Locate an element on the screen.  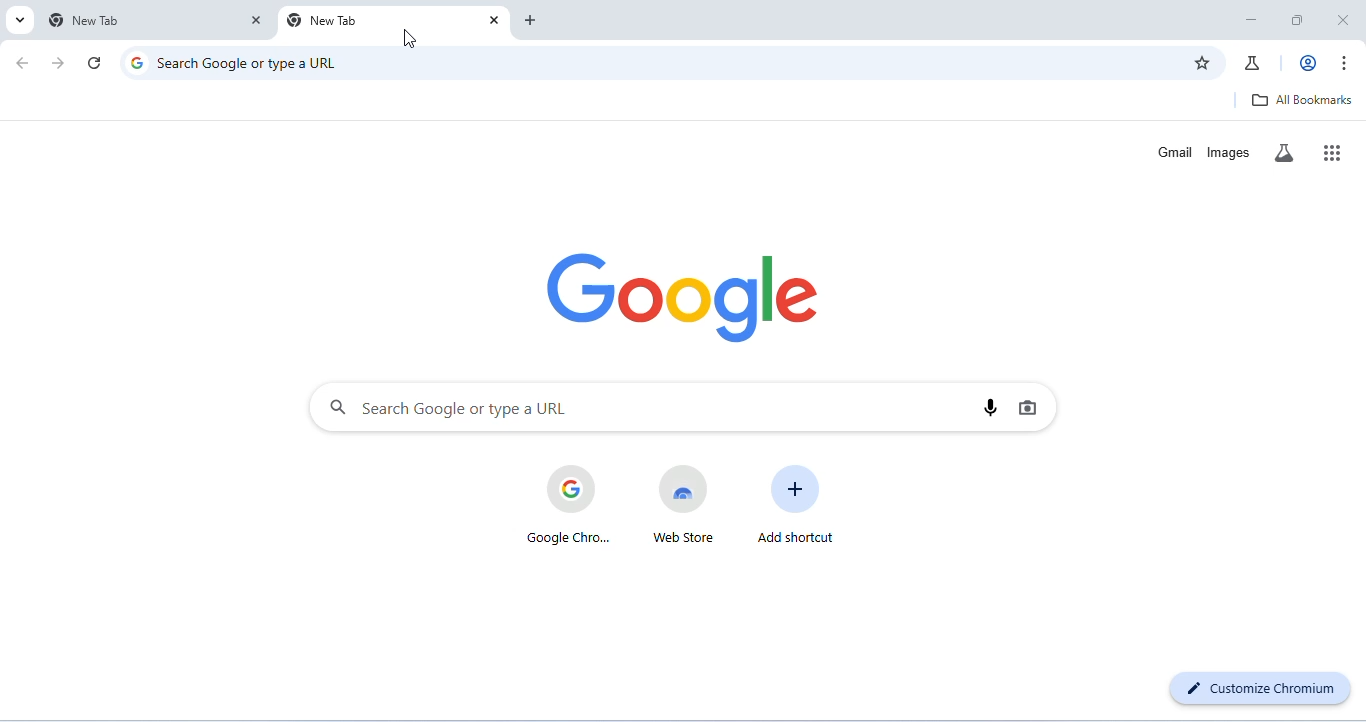
web store is located at coordinates (684, 503).